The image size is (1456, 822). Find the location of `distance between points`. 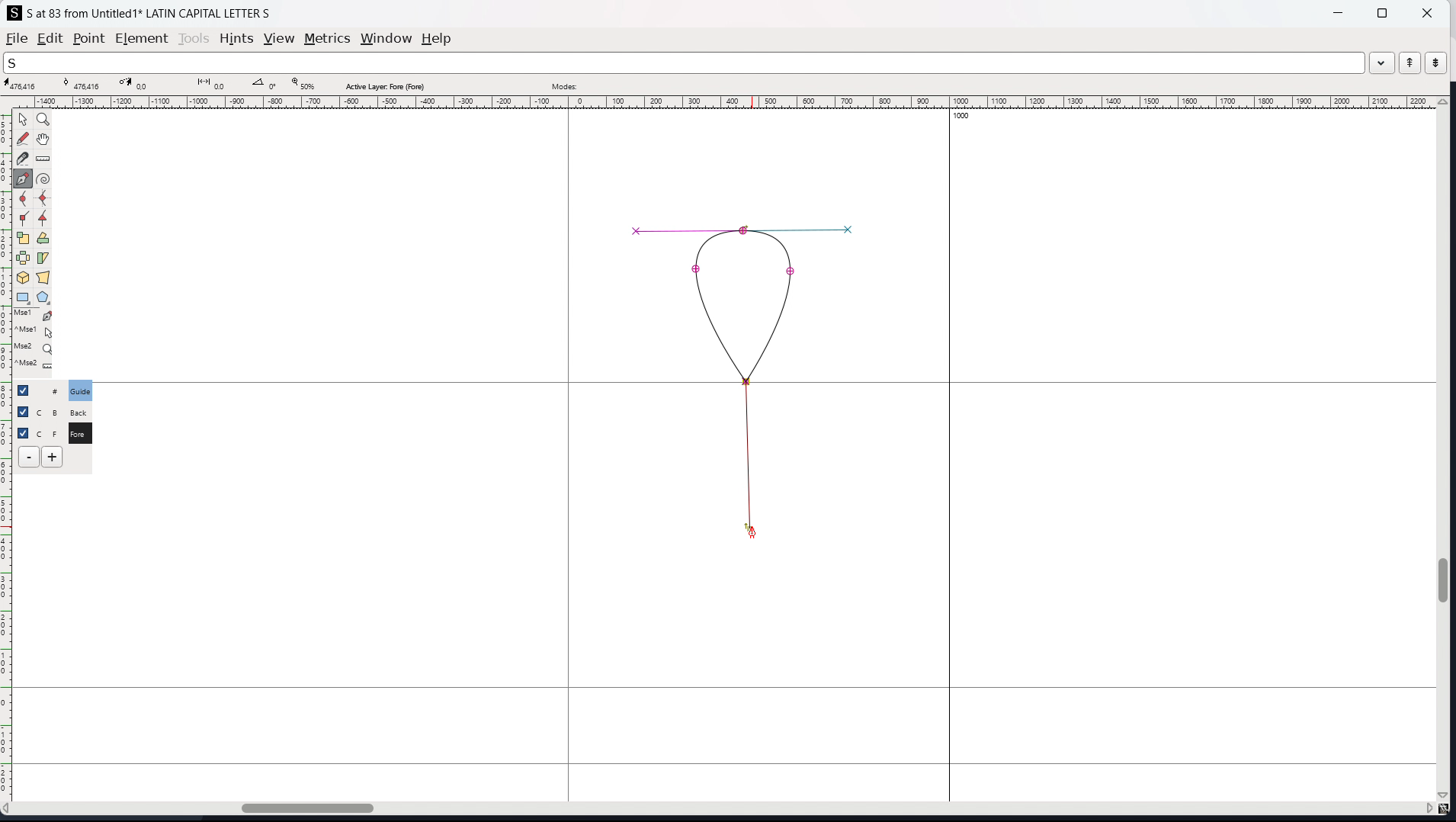

distance between points is located at coordinates (213, 83).